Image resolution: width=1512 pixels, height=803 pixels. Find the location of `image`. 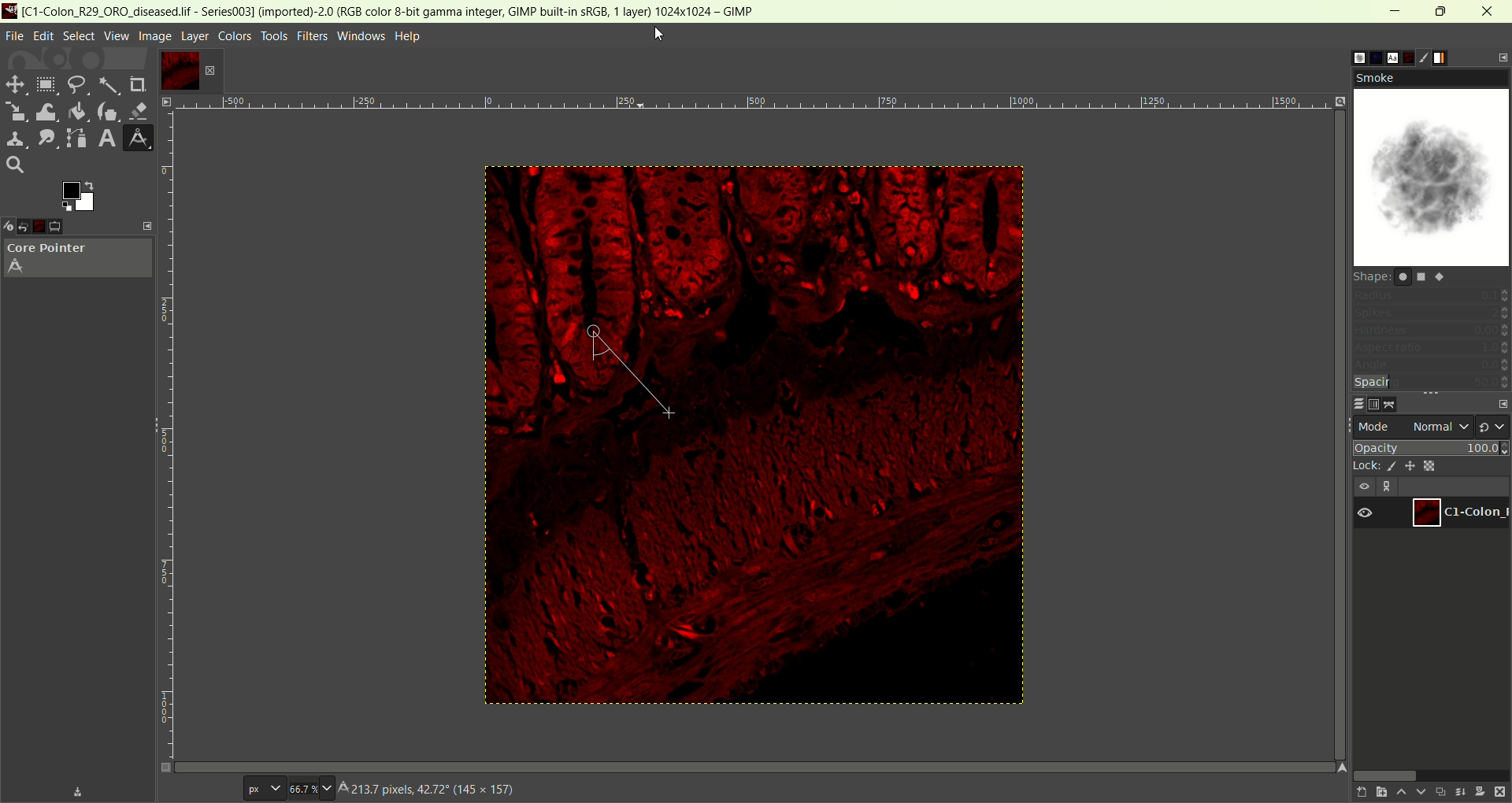

image is located at coordinates (880, 444).